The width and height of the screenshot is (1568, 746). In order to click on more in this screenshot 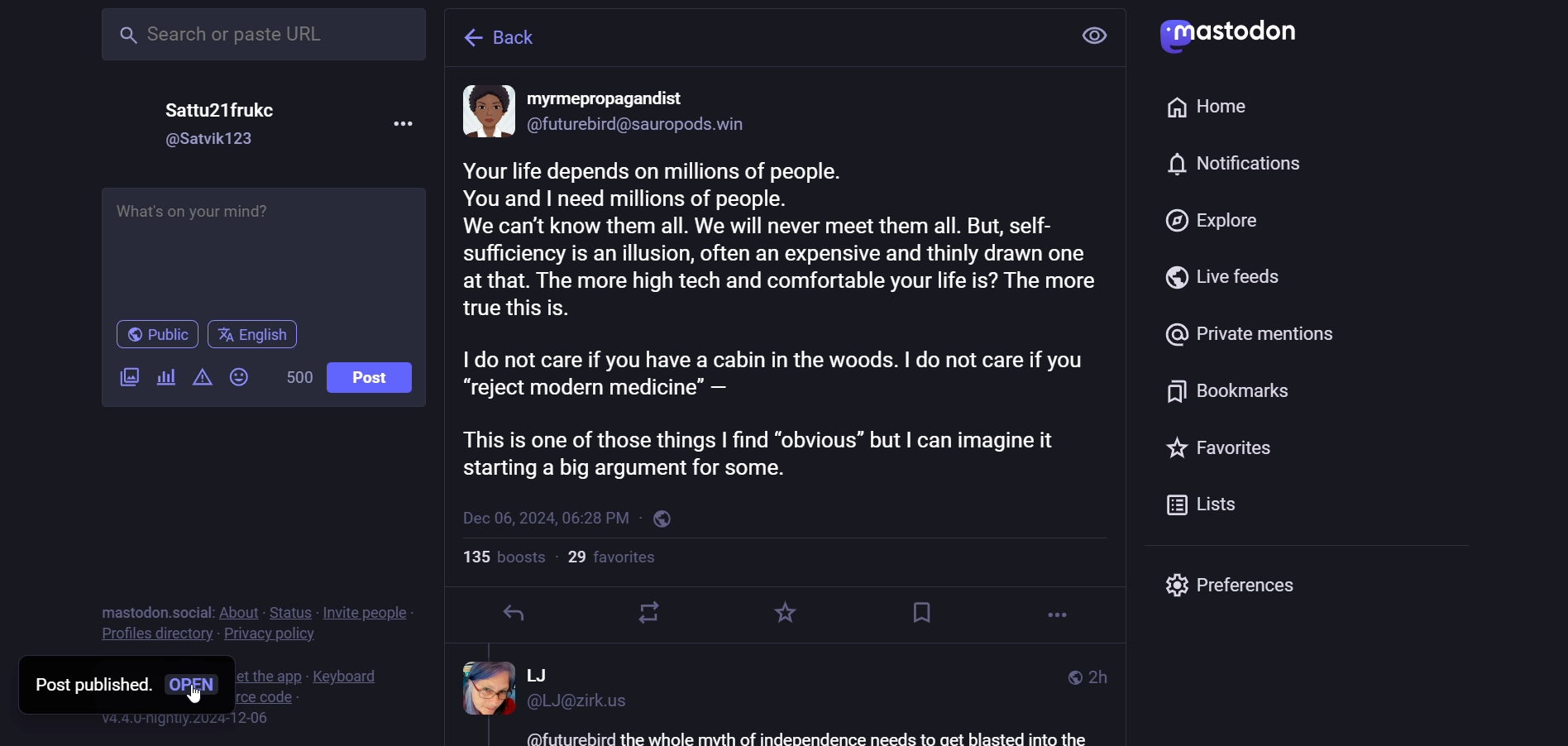, I will do `click(398, 122)`.